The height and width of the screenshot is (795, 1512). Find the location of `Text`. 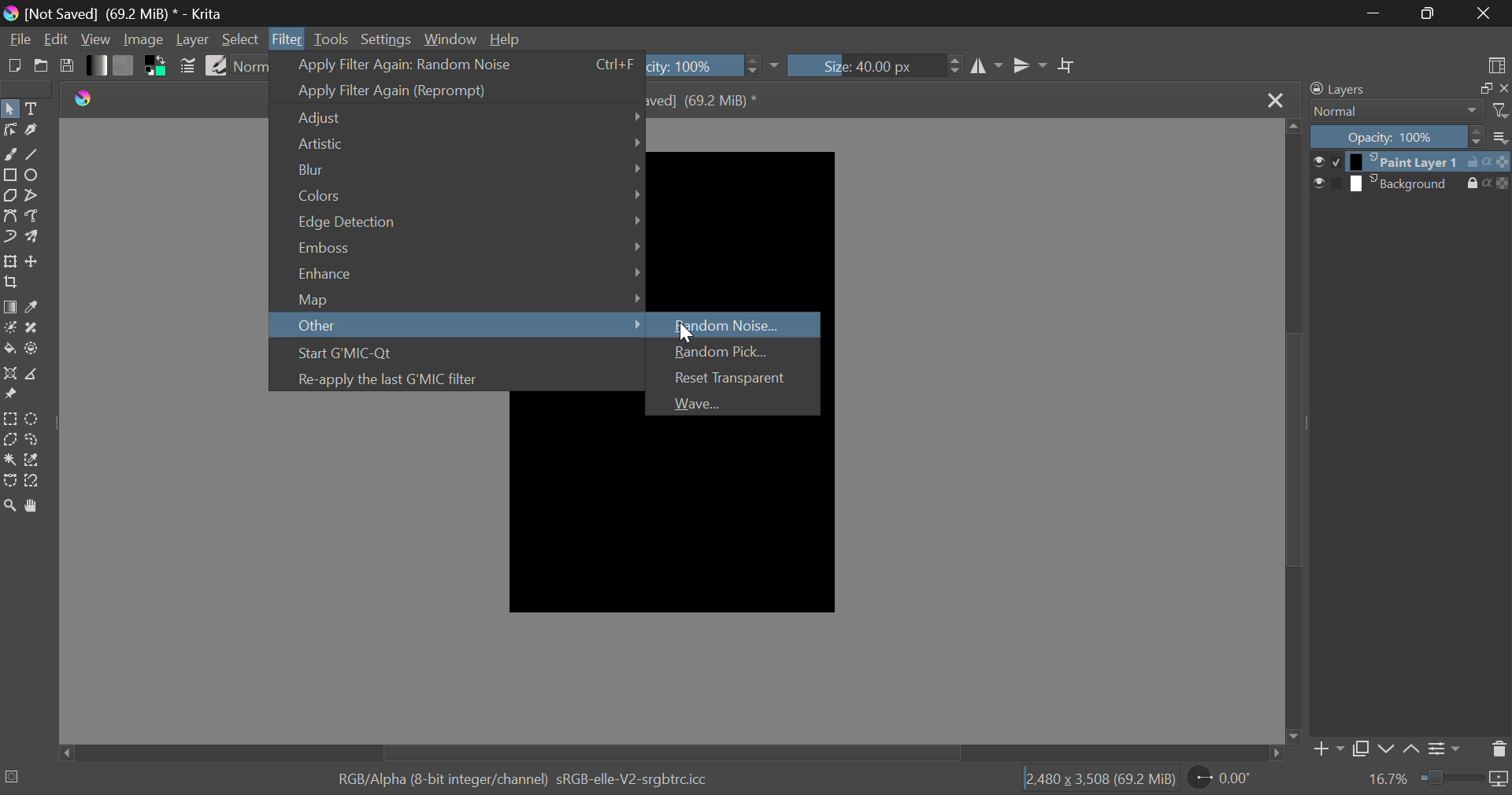

Text is located at coordinates (32, 107).